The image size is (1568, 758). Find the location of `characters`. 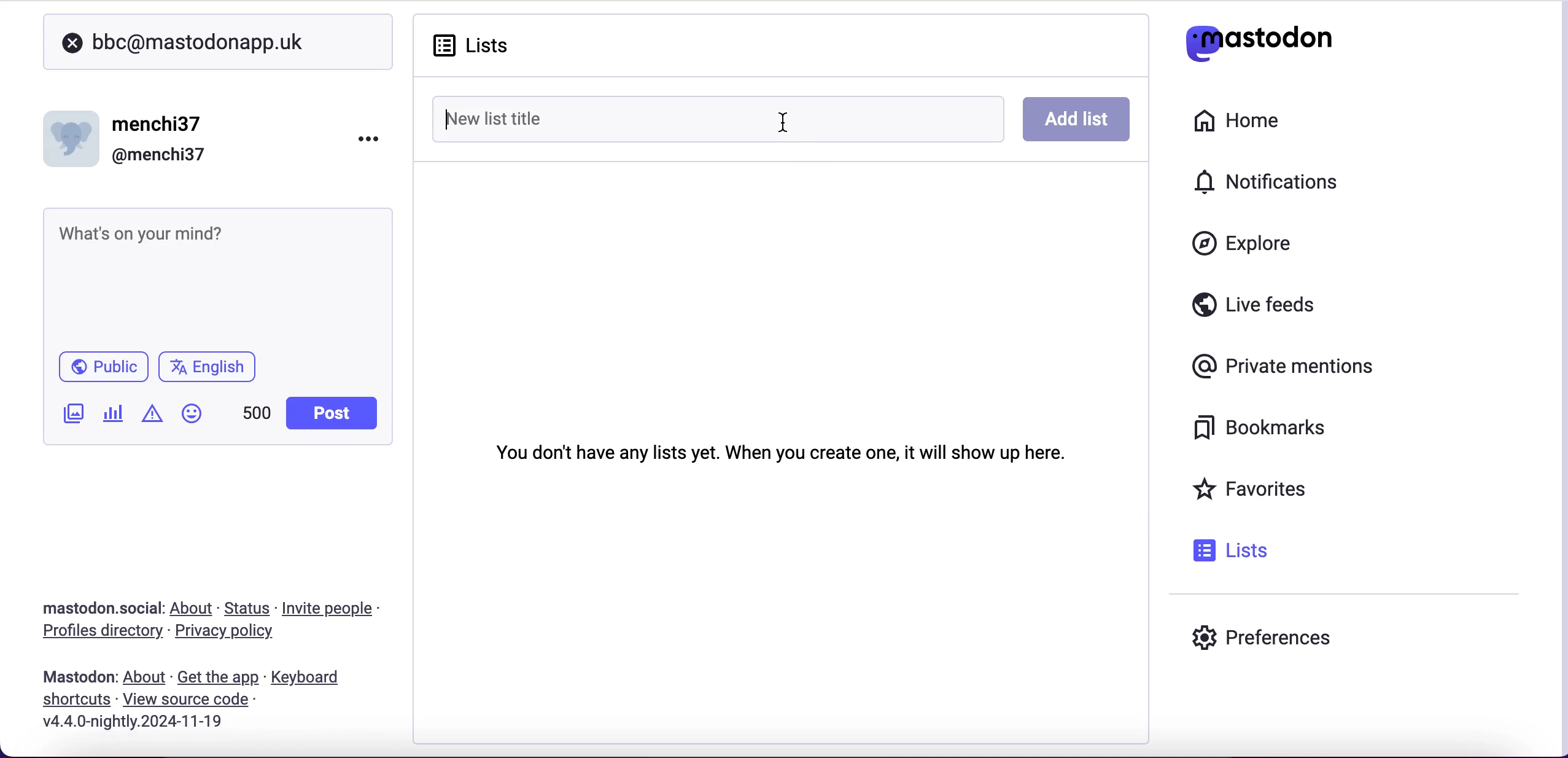

characters is located at coordinates (257, 415).